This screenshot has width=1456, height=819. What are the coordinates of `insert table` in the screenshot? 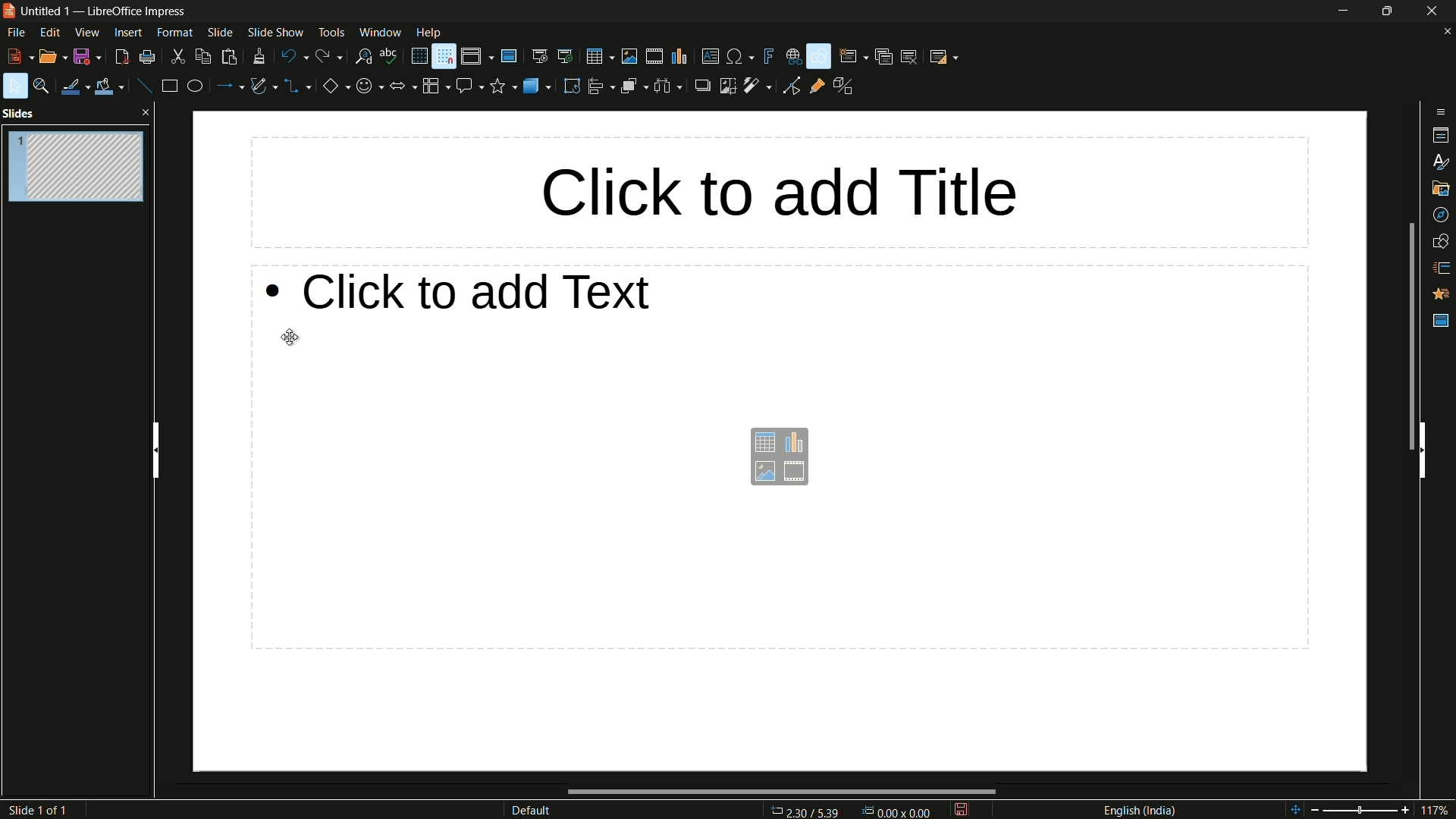 It's located at (765, 443).